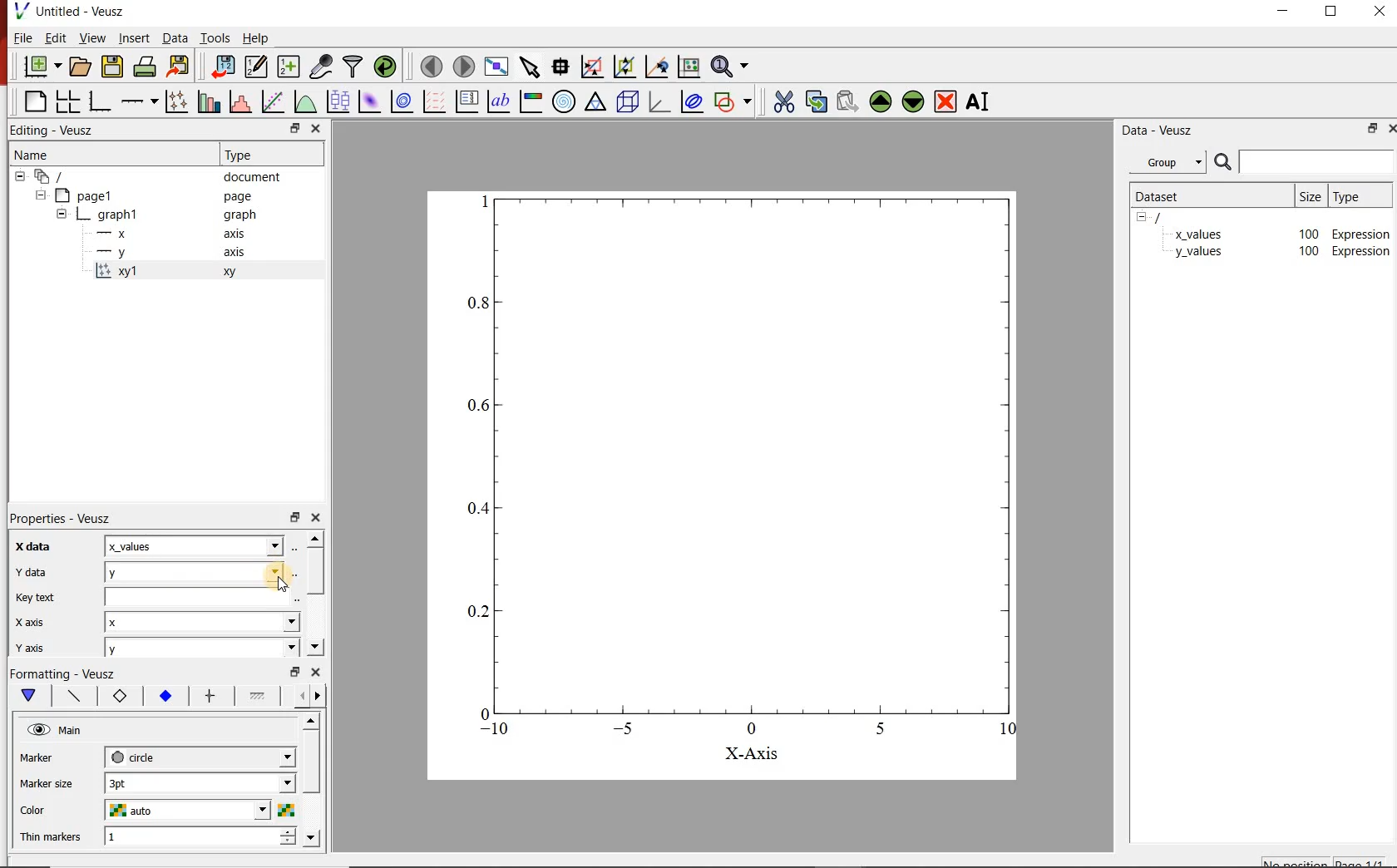 Image resolution: width=1397 pixels, height=868 pixels. I want to click on plot 2d dataset as an image, so click(369, 101).